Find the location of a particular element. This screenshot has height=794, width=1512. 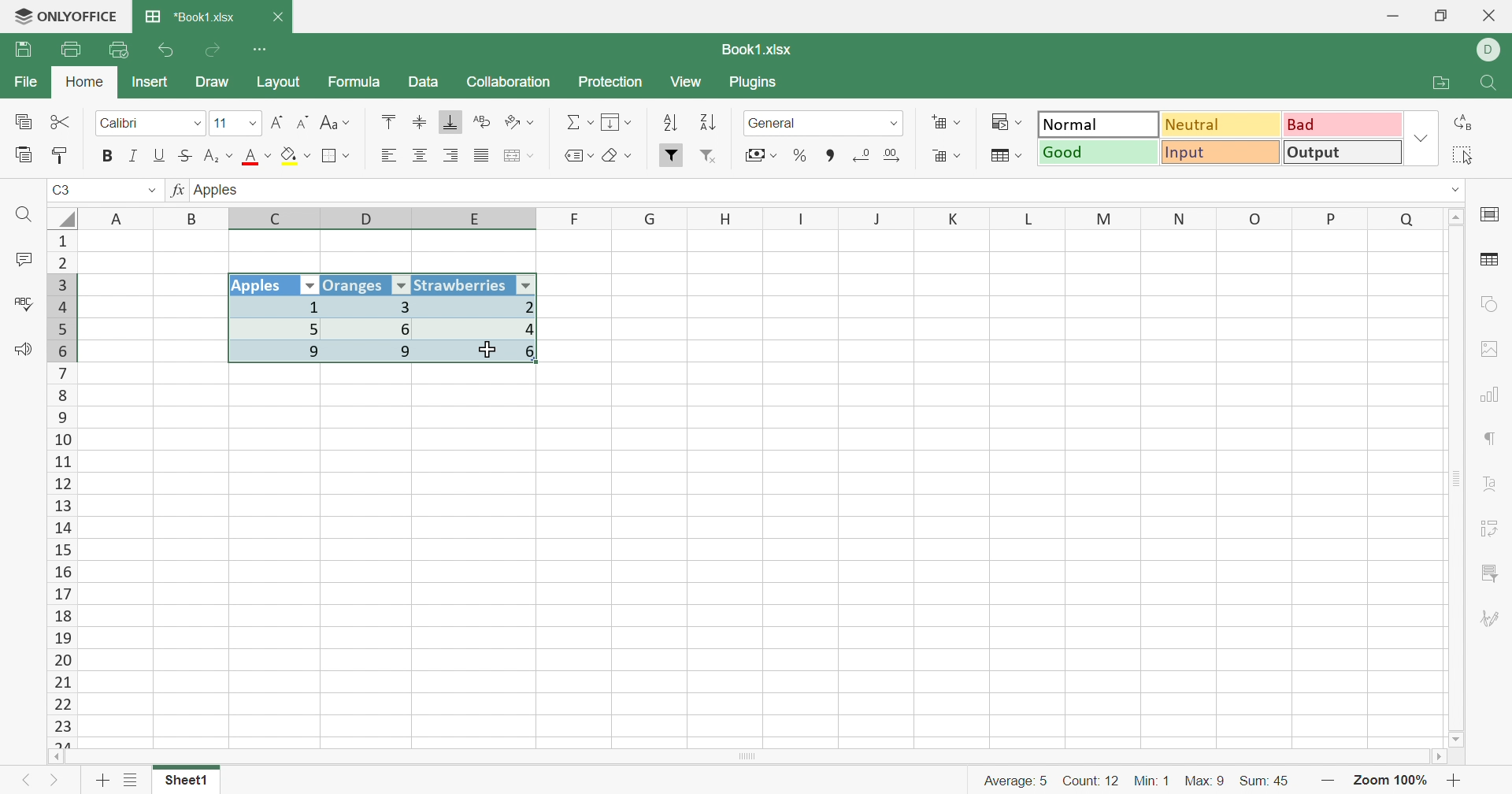

Next is located at coordinates (55, 784).